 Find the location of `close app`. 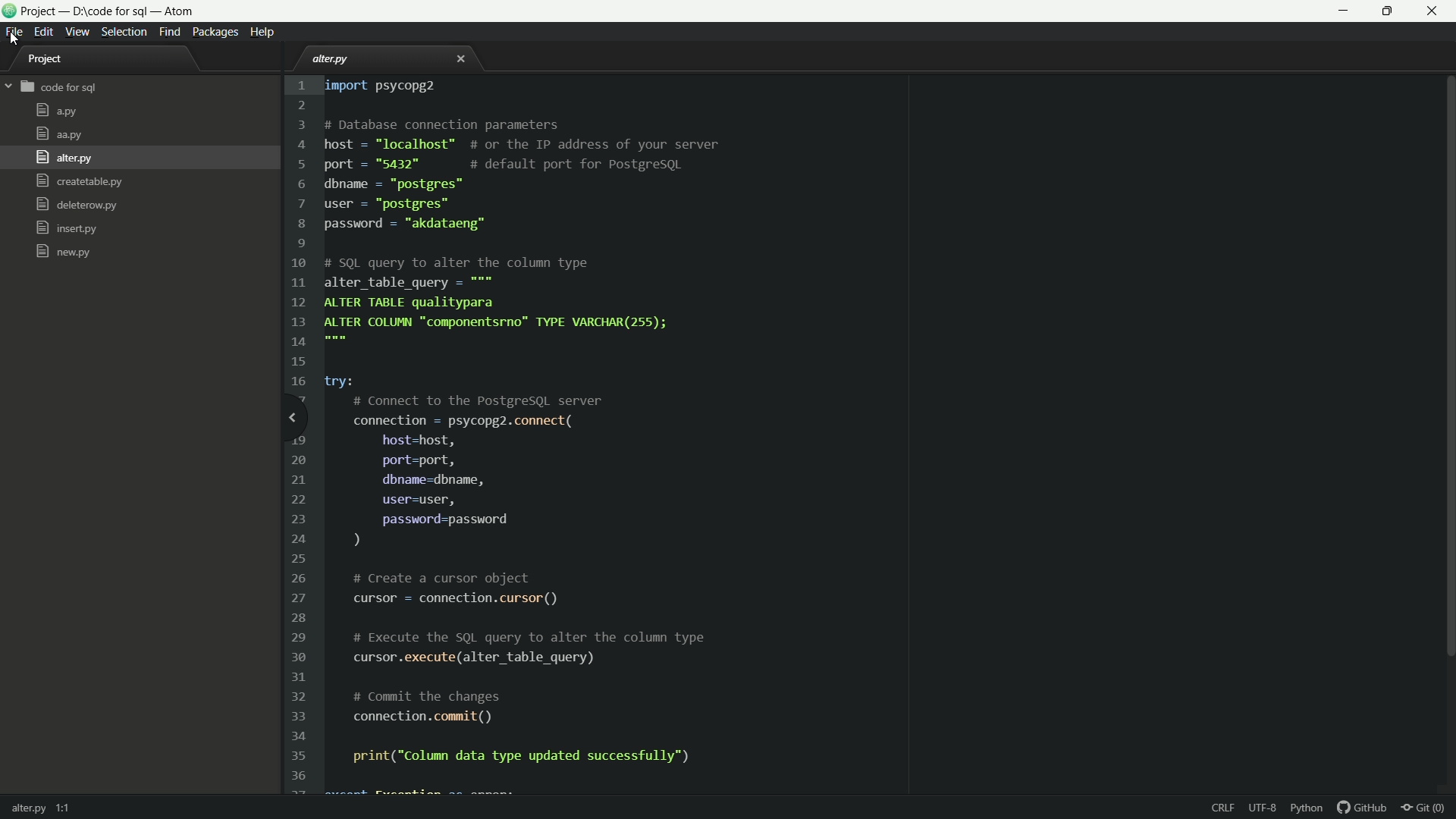

close app is located at coordinates (1437, 11).